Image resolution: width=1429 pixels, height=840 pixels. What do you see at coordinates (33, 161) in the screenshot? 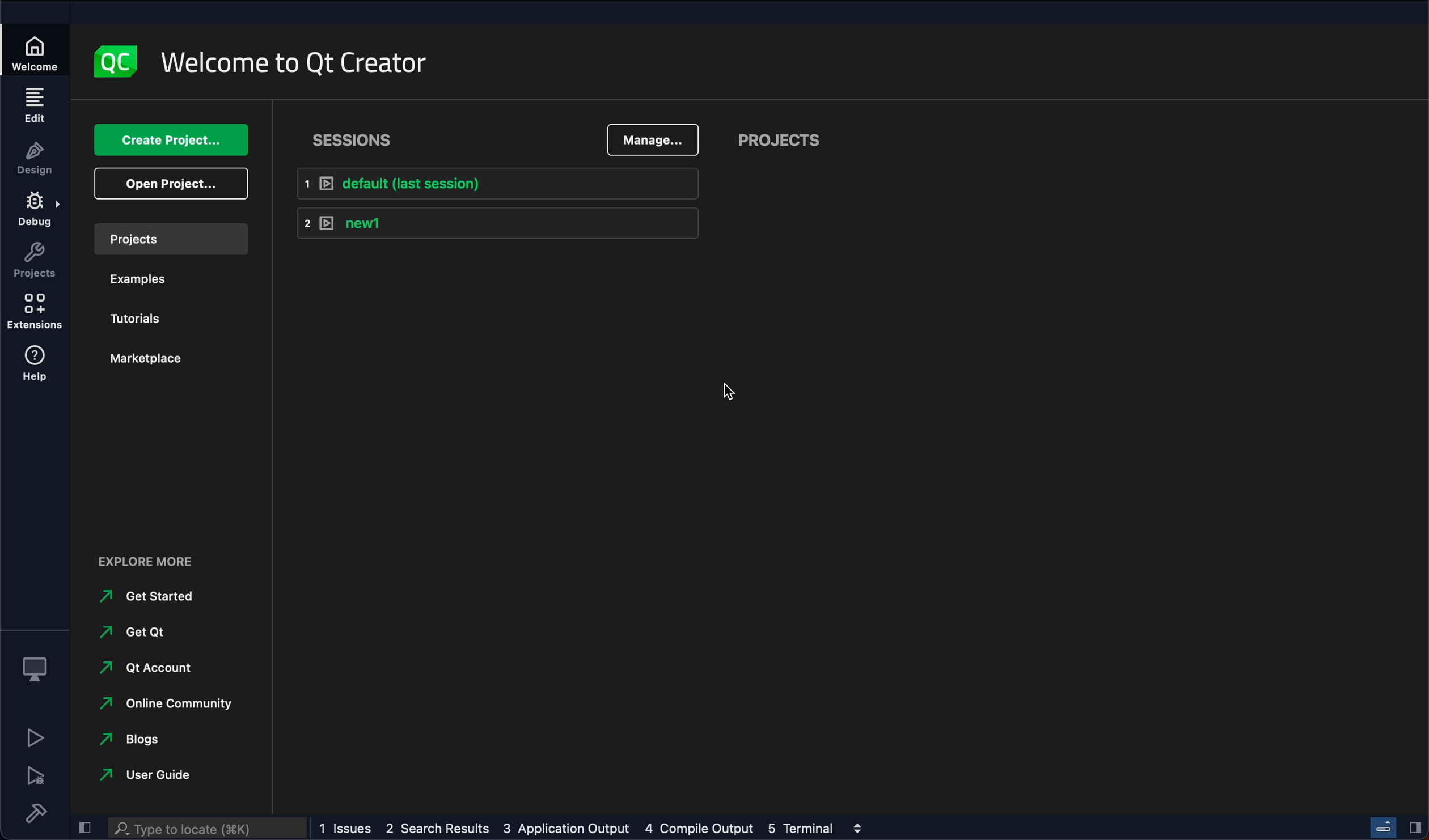
I see `design` at bounding box center [33, 161].